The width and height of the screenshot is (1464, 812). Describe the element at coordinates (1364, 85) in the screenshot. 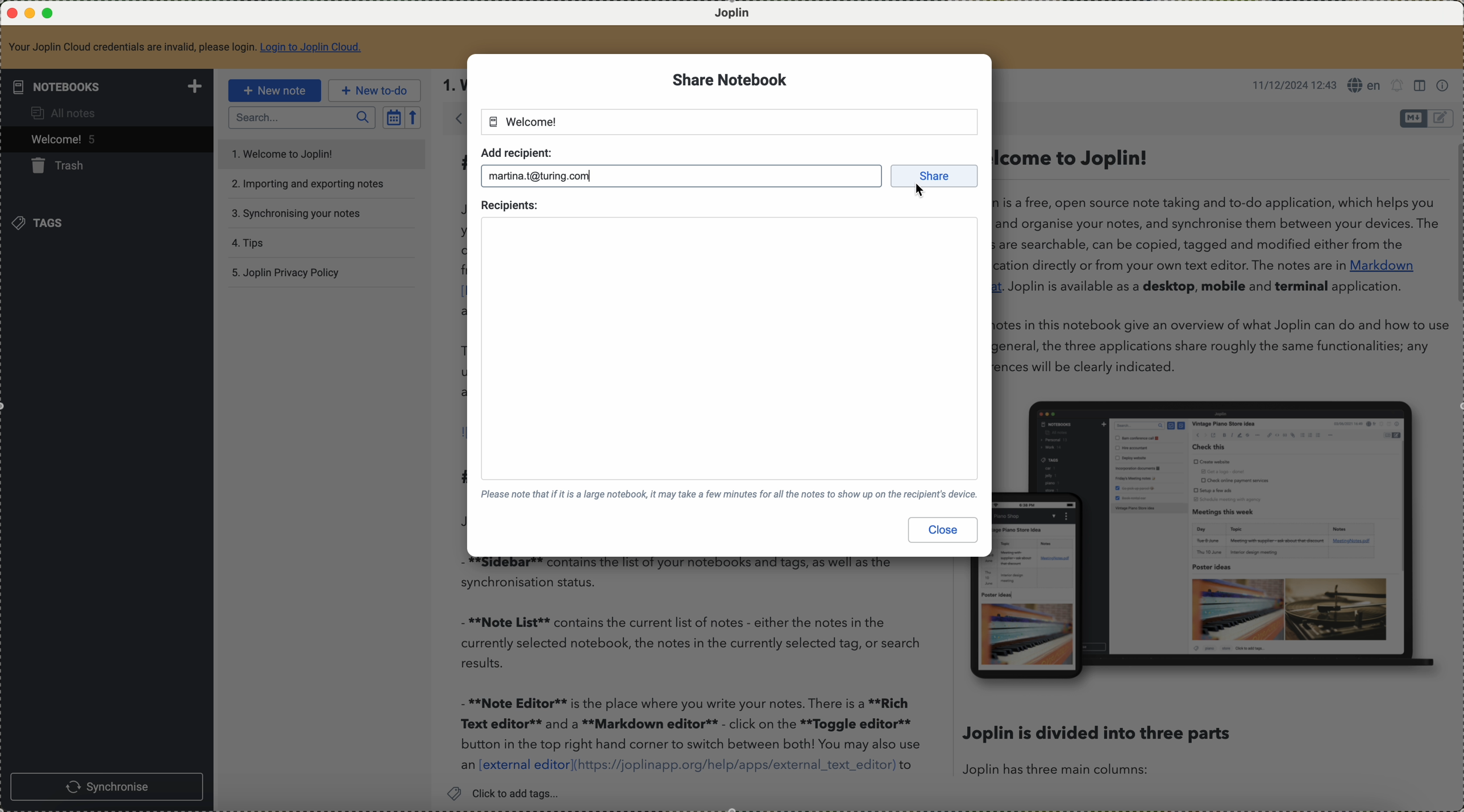

I see `language` at that location.